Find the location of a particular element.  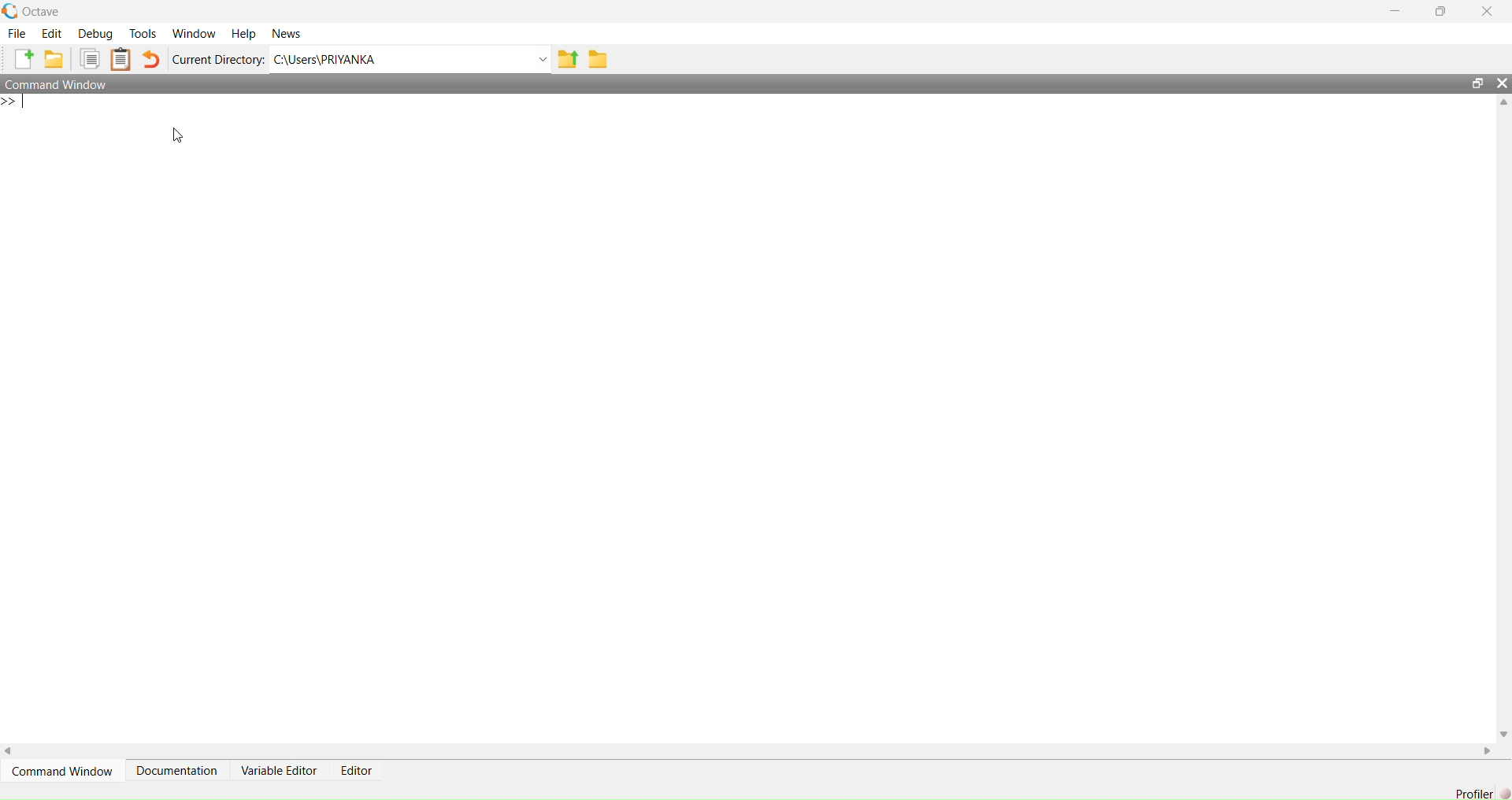

cursor is located at coordinates (182, 141).